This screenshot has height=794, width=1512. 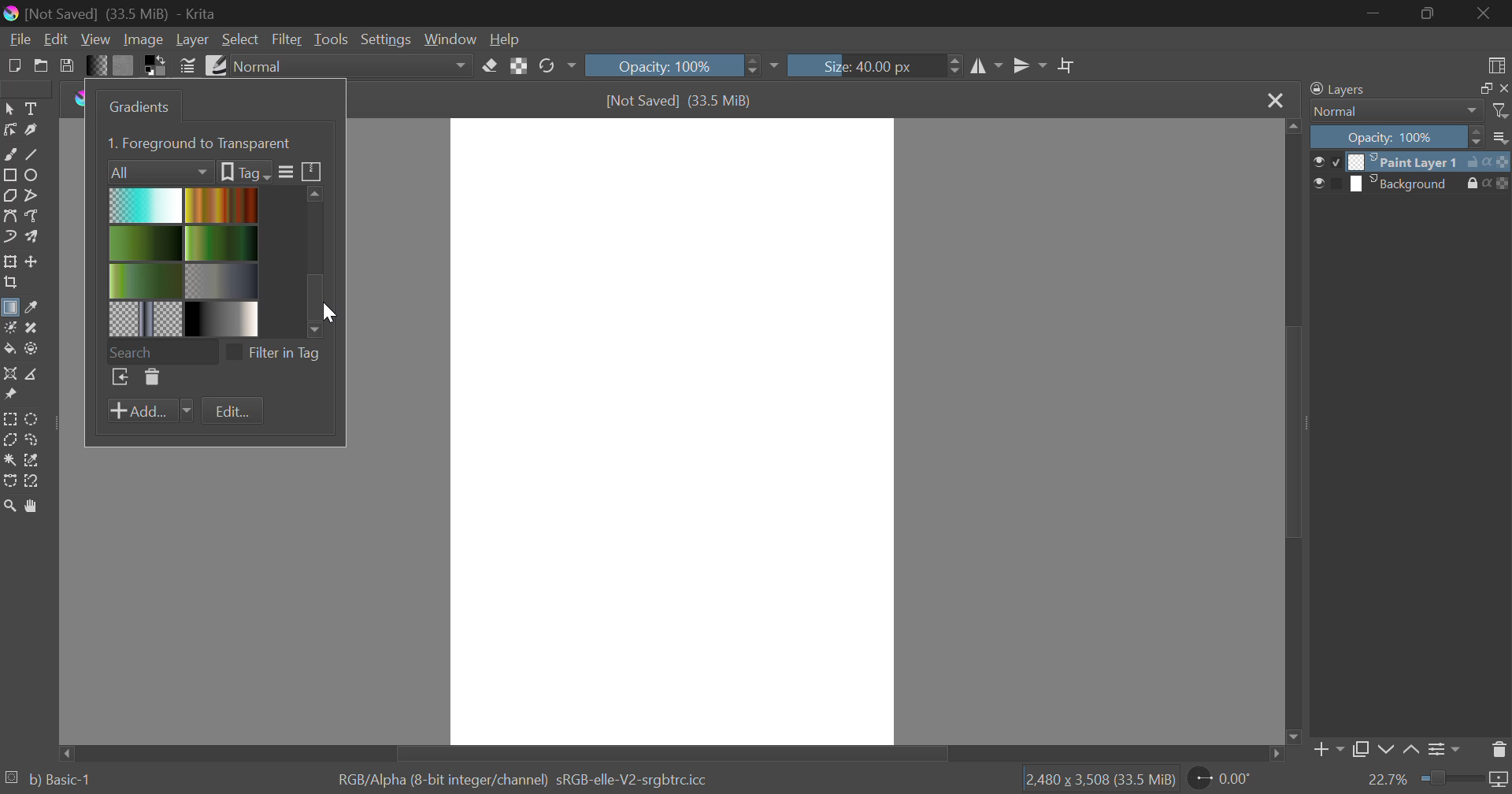 What do you see at coordinates (528, 777) in the screenshot?
I see `RGB/Alpha (8-bit integer/channel) sRGB-elle-V2-srgbtrc.icc` at bounding box center [528, 777].